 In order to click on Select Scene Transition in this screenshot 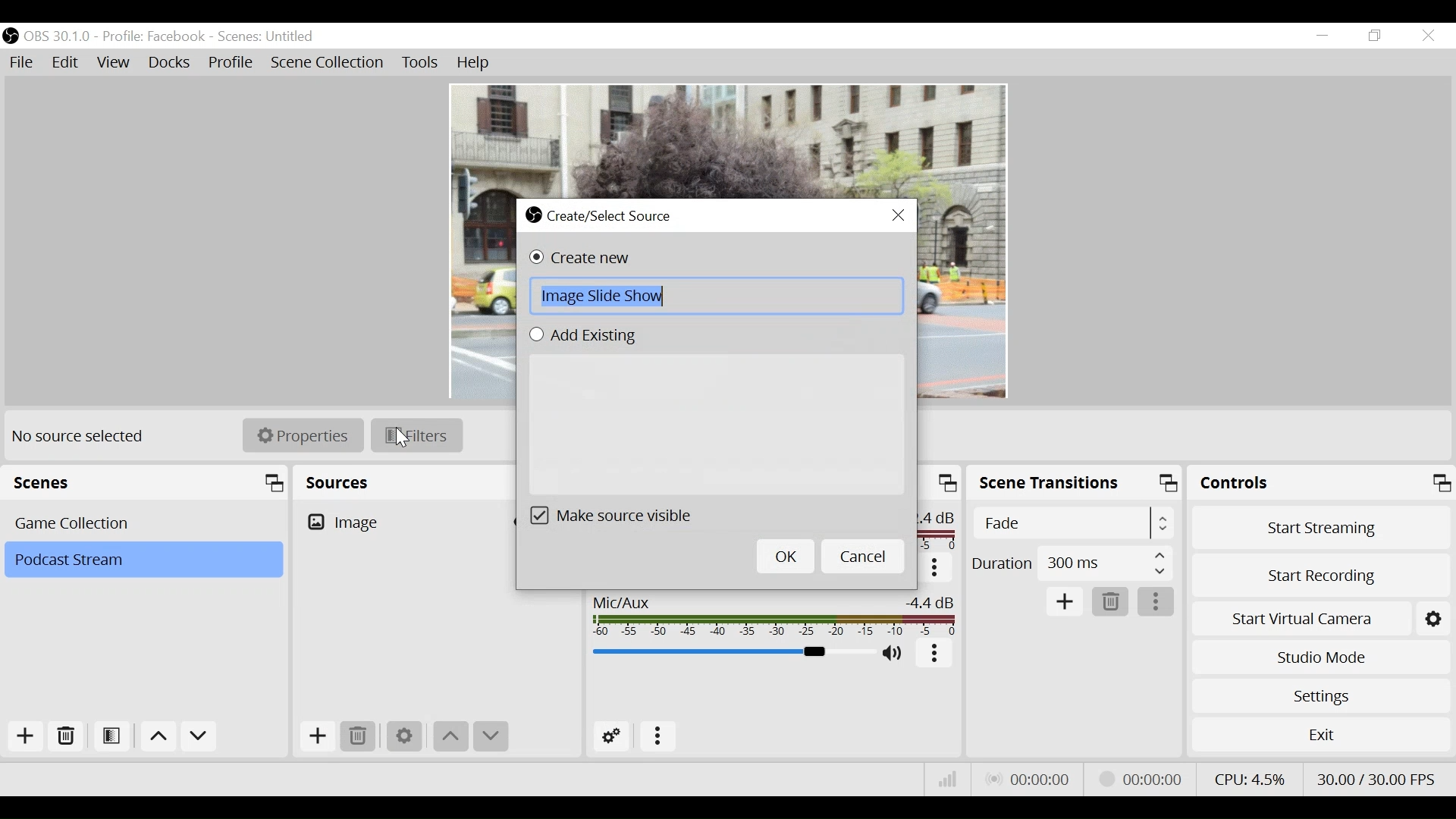, I will do `click(1075, 524)`.